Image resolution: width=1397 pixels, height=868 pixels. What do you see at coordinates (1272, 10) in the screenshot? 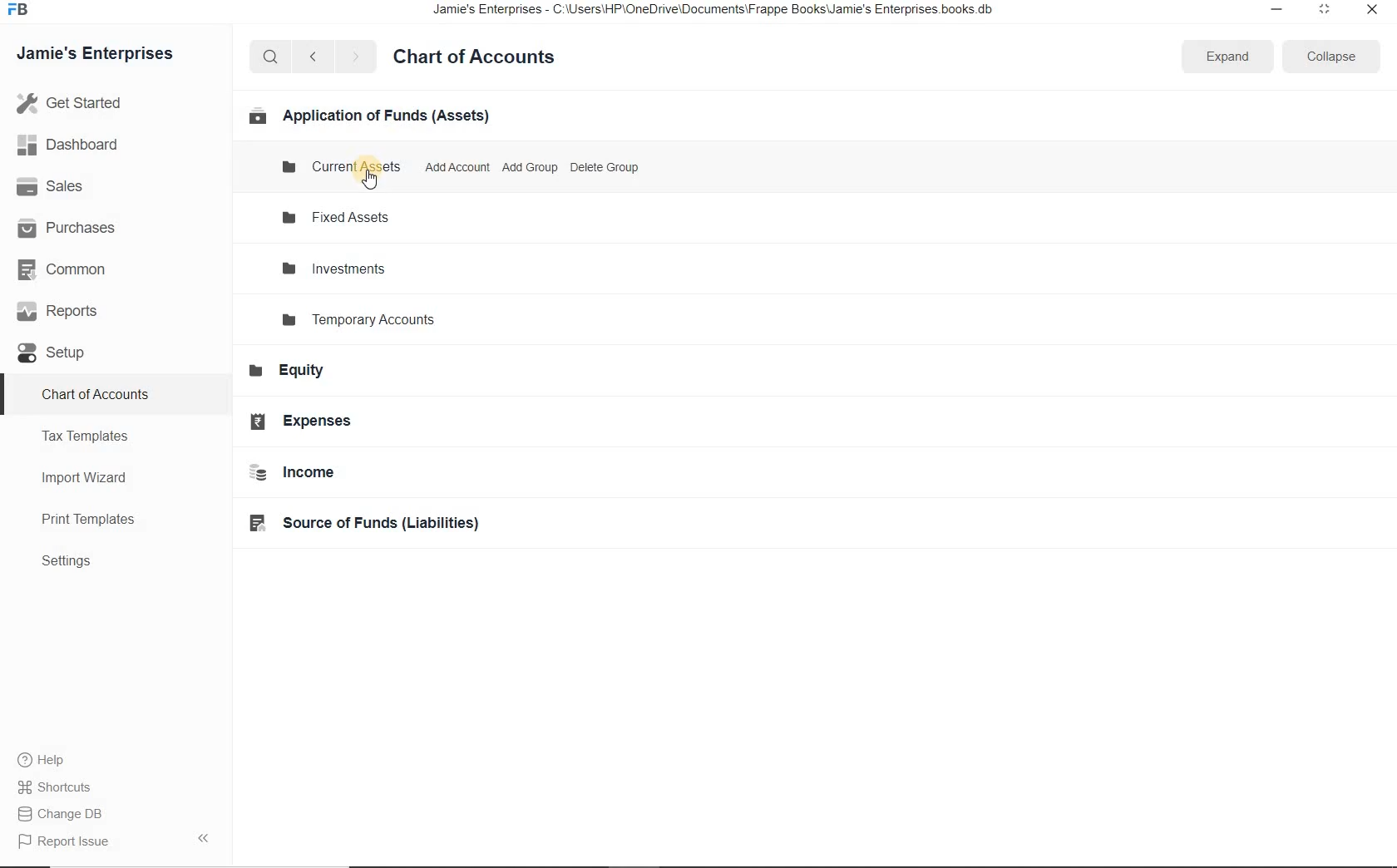
I see `minimize` at bounding box center [1272, 10].